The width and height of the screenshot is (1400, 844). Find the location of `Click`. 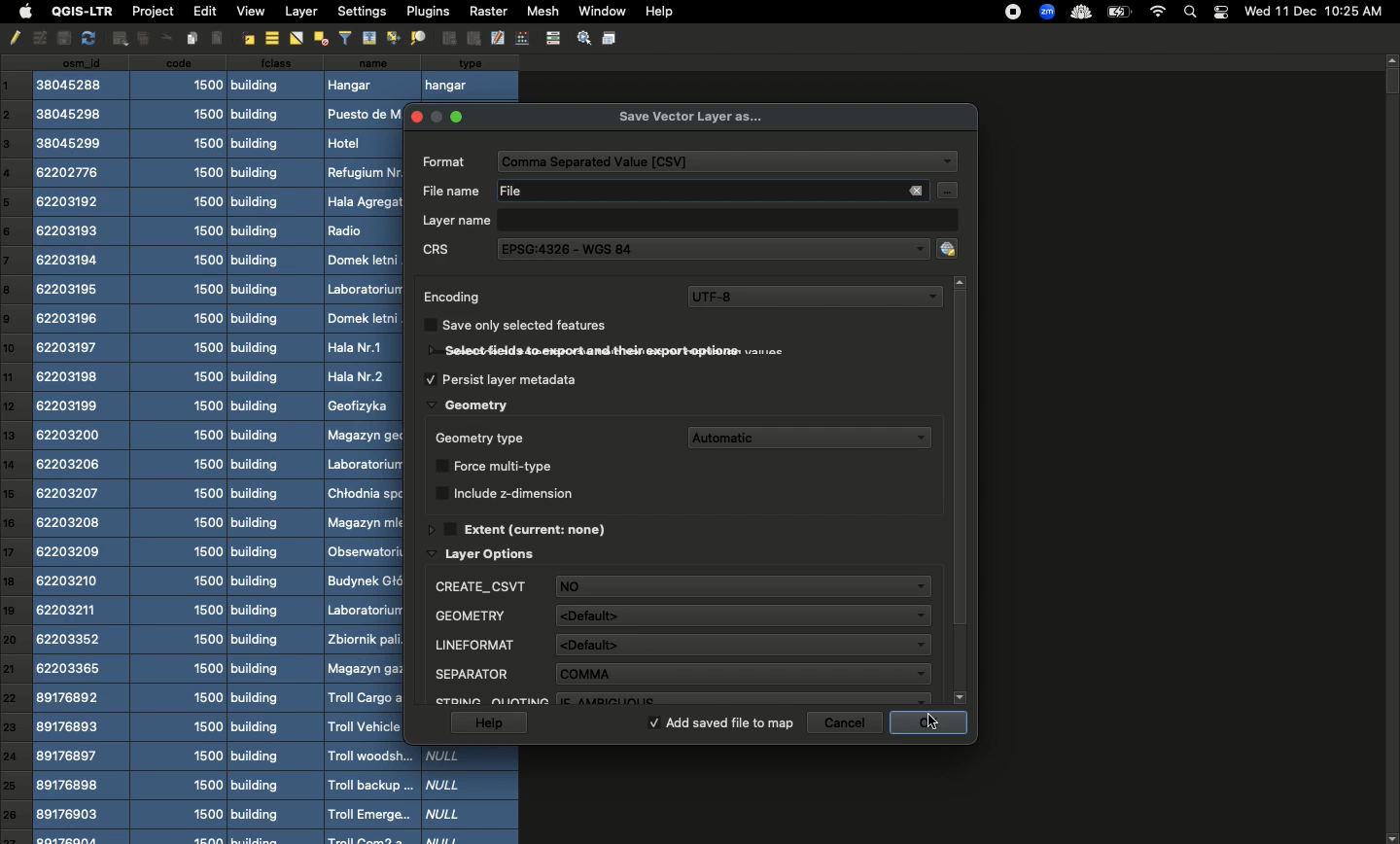

Click is located at coordinates (933, 721).